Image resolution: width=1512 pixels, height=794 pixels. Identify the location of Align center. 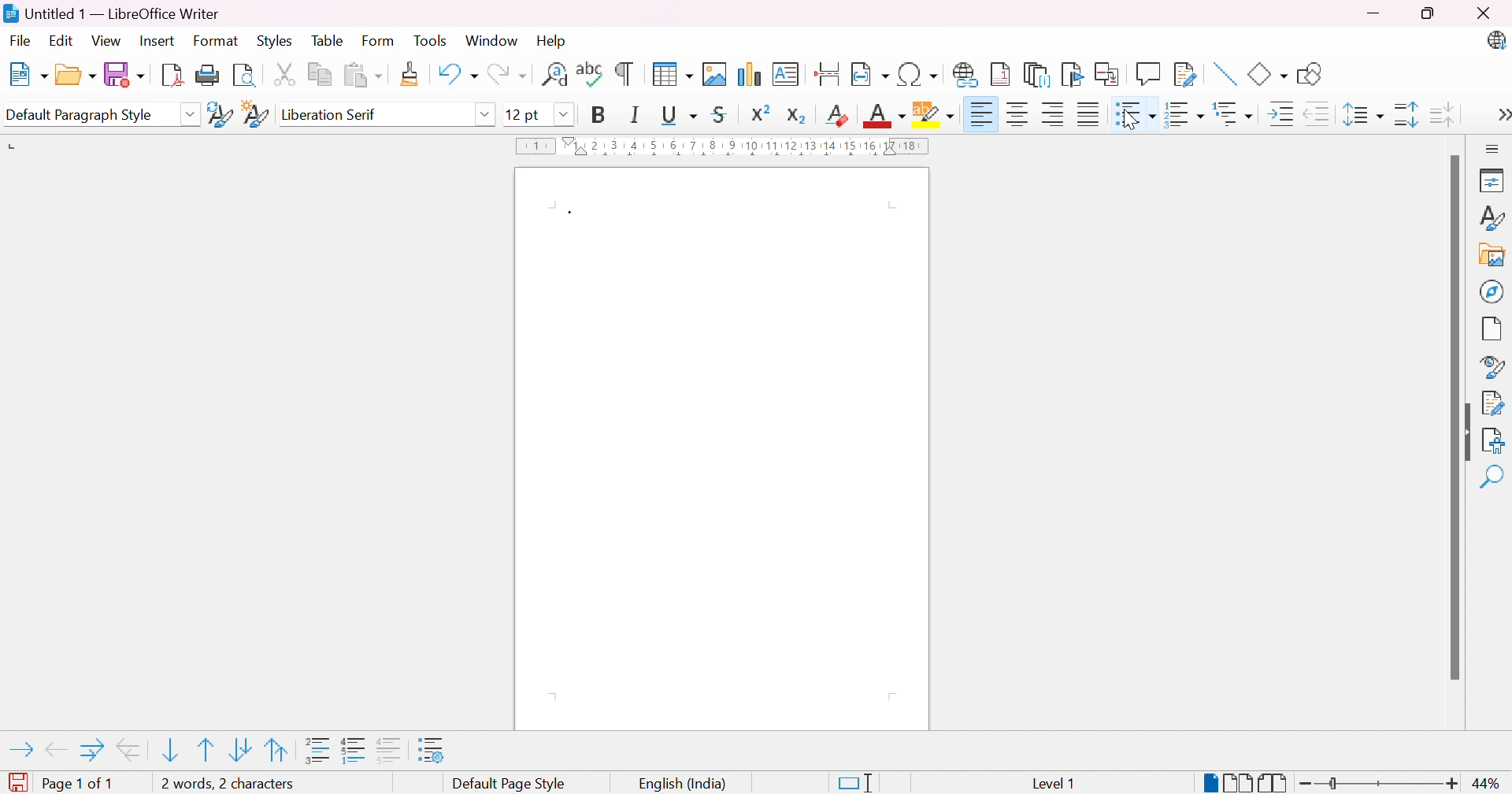
(1018, 114).